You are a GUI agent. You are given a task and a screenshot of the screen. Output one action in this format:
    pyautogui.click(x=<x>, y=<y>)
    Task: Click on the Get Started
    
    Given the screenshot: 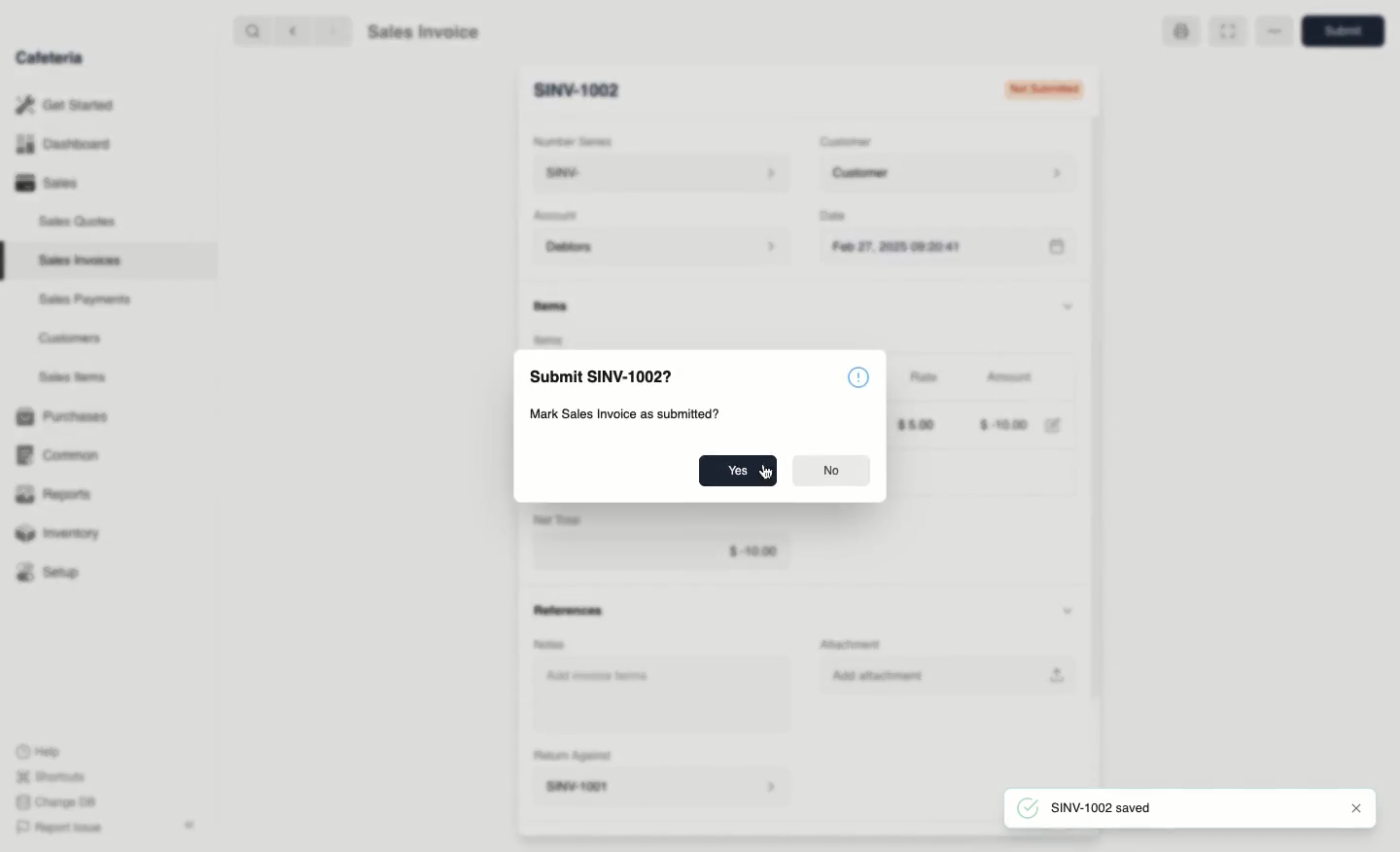 What is the action you would take?
    pyautogui.click(x=65, y=104)
    